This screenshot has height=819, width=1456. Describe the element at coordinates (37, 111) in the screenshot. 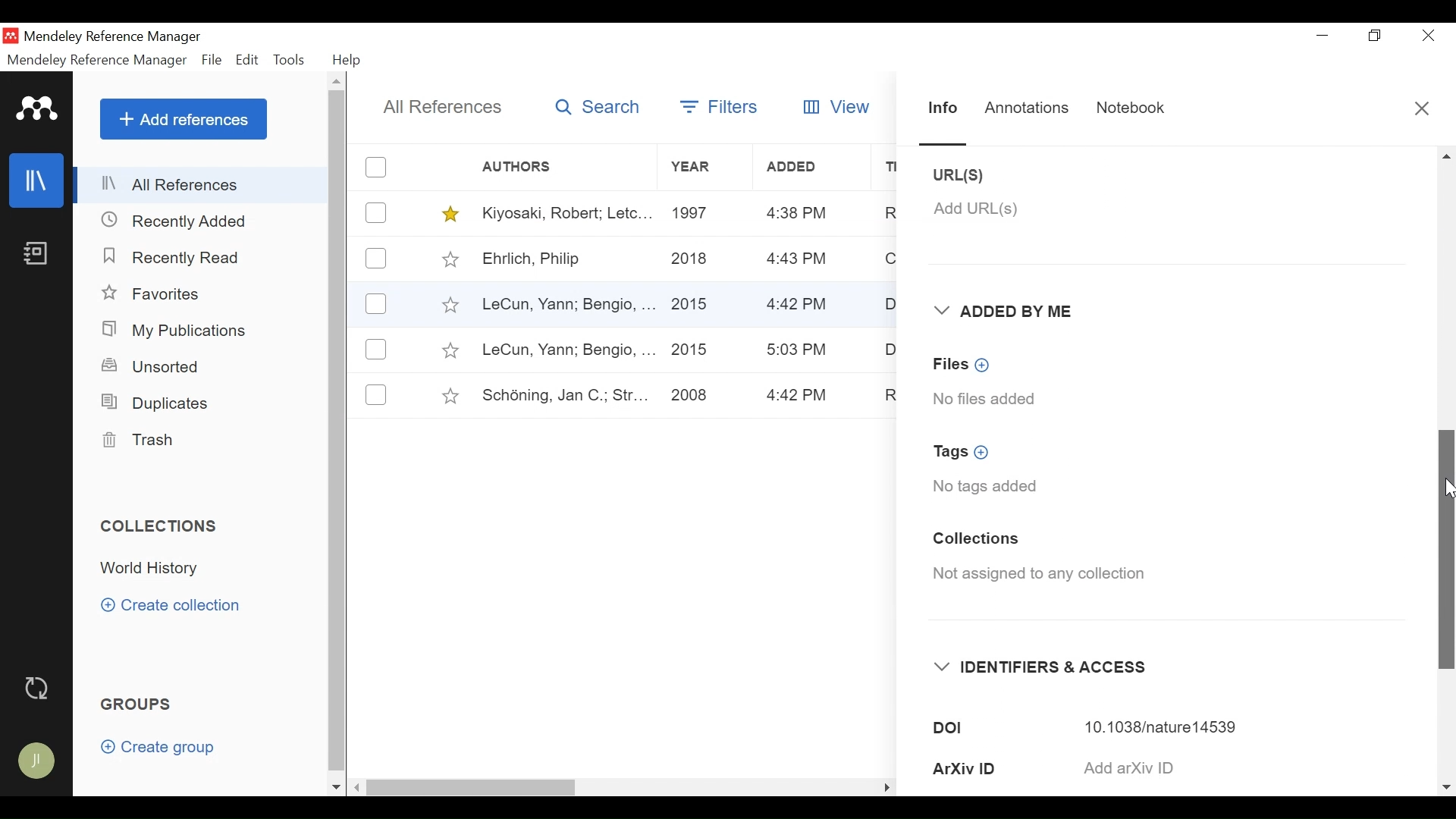

I see `Mendeley Logo` at that location.